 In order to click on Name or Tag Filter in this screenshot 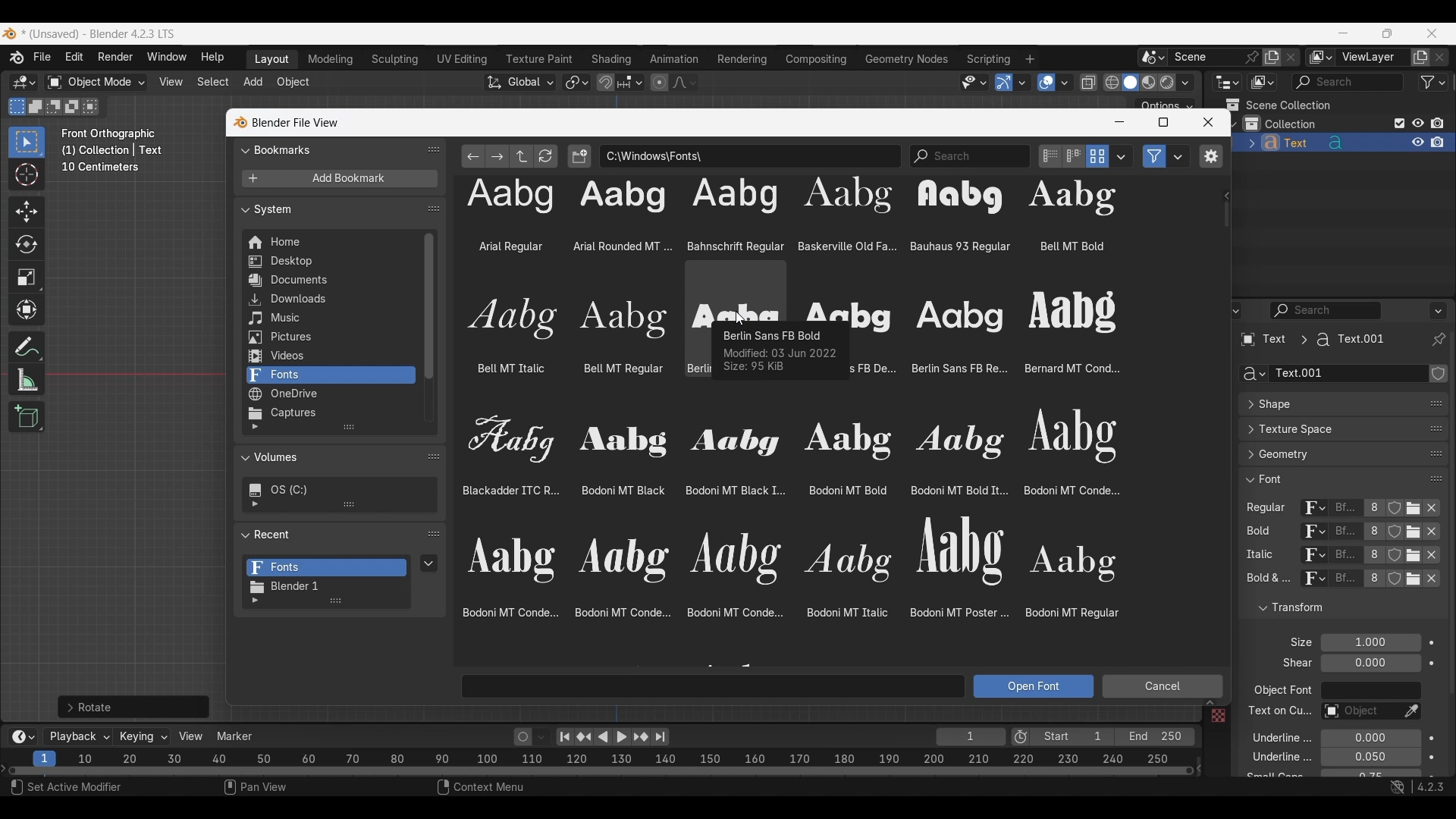, I will do `click(970, 156)`.